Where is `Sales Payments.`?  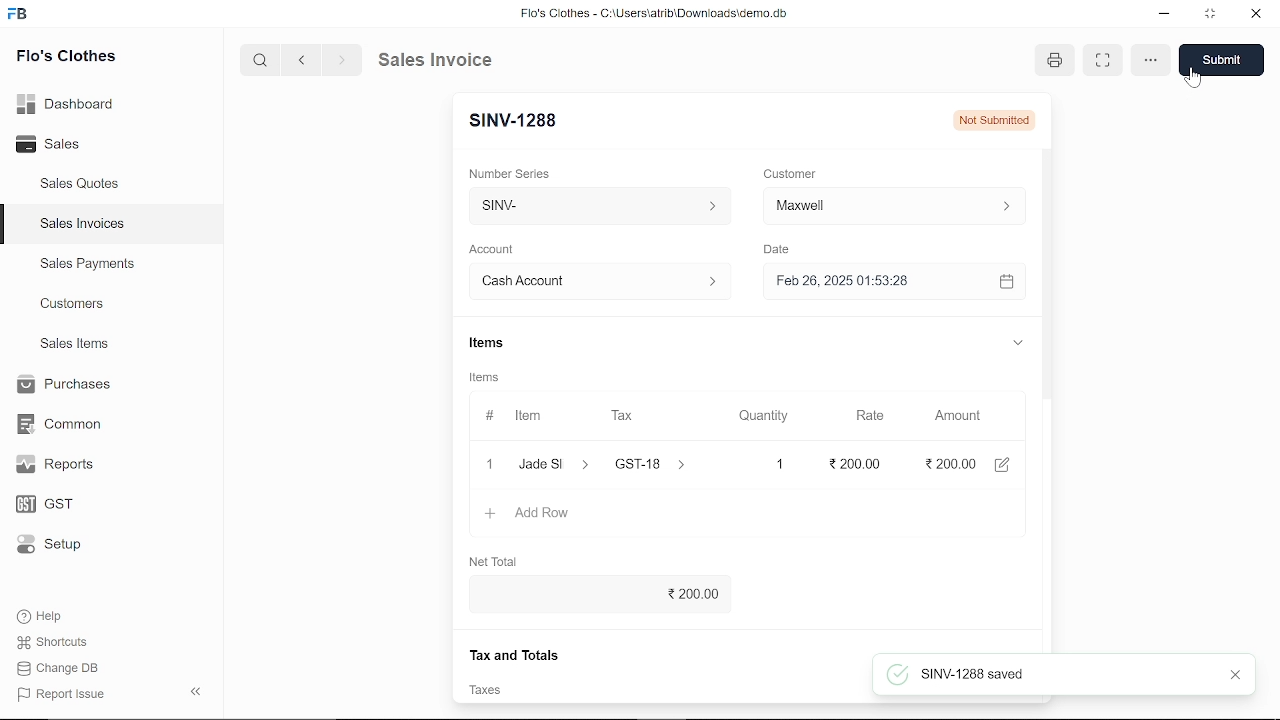
Sales Payments. is located at coordinates (86, 264).